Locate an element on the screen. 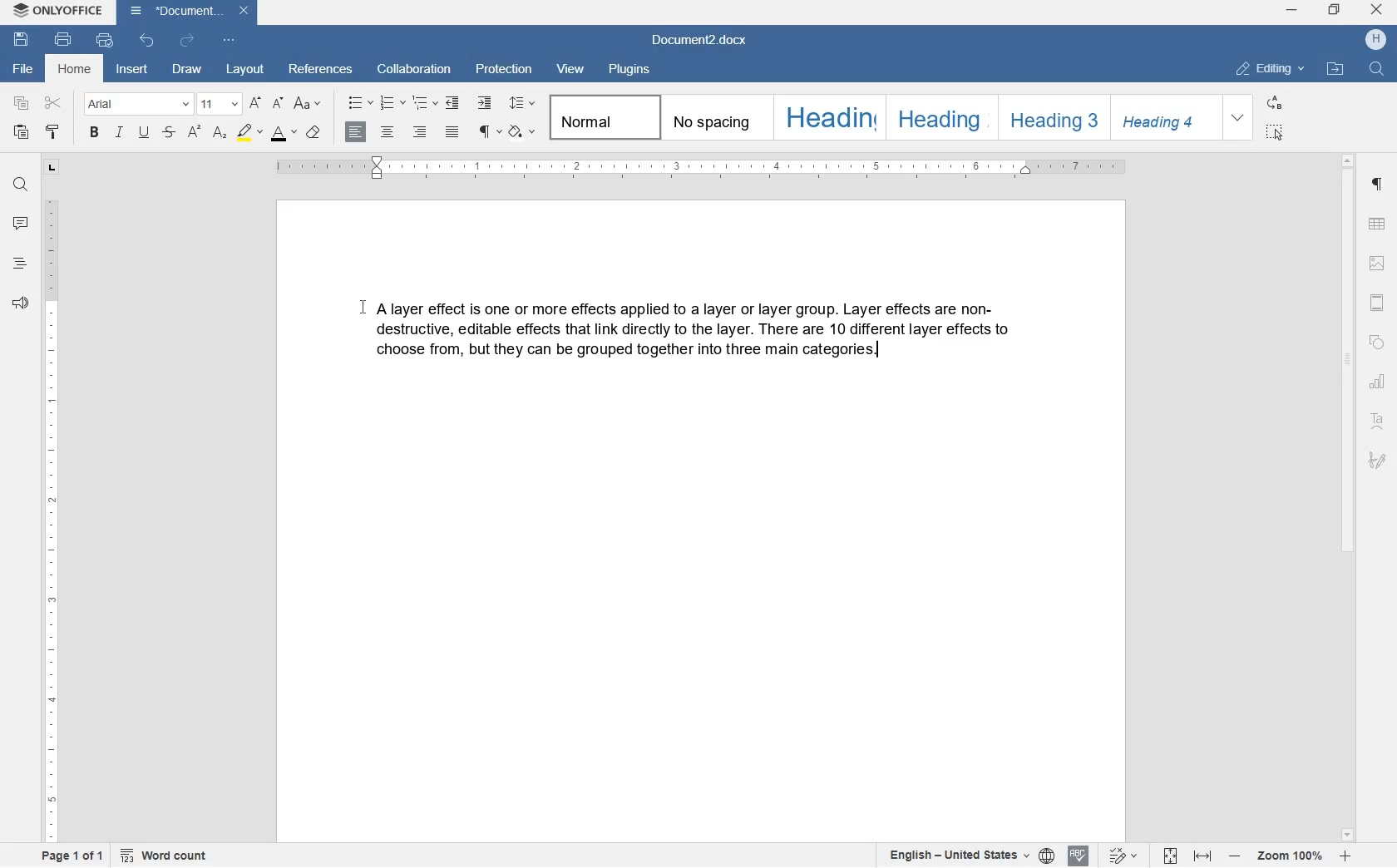 This screenshot has height=868, width=1397. align center is located at coordinates (386, 132).